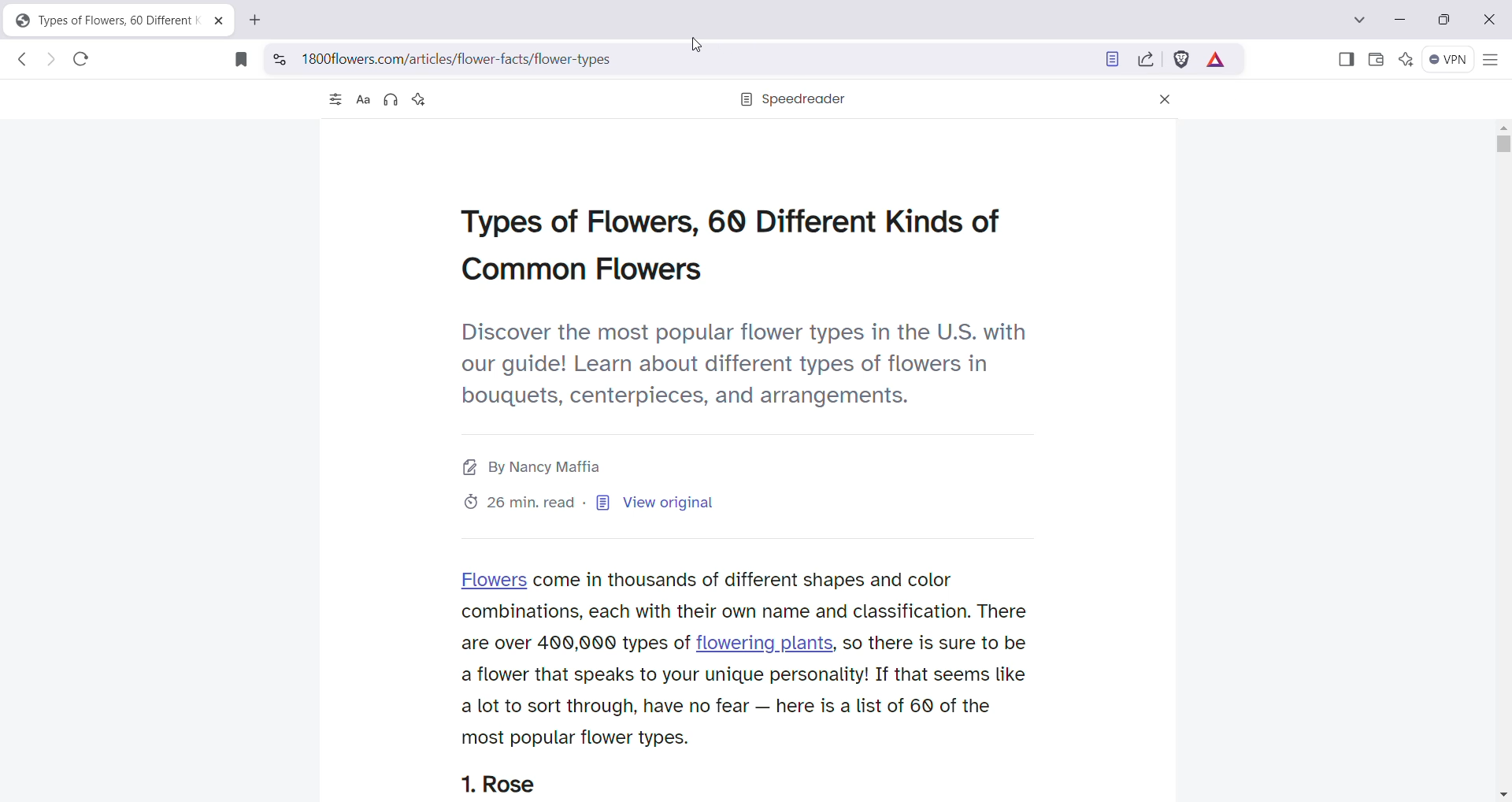 This screenshot has width=1512, height=802. What do you see at coordinates (690, 59) in the screenshot?
I see `Search Brave or type a URL` at bounding box center [690, 59].